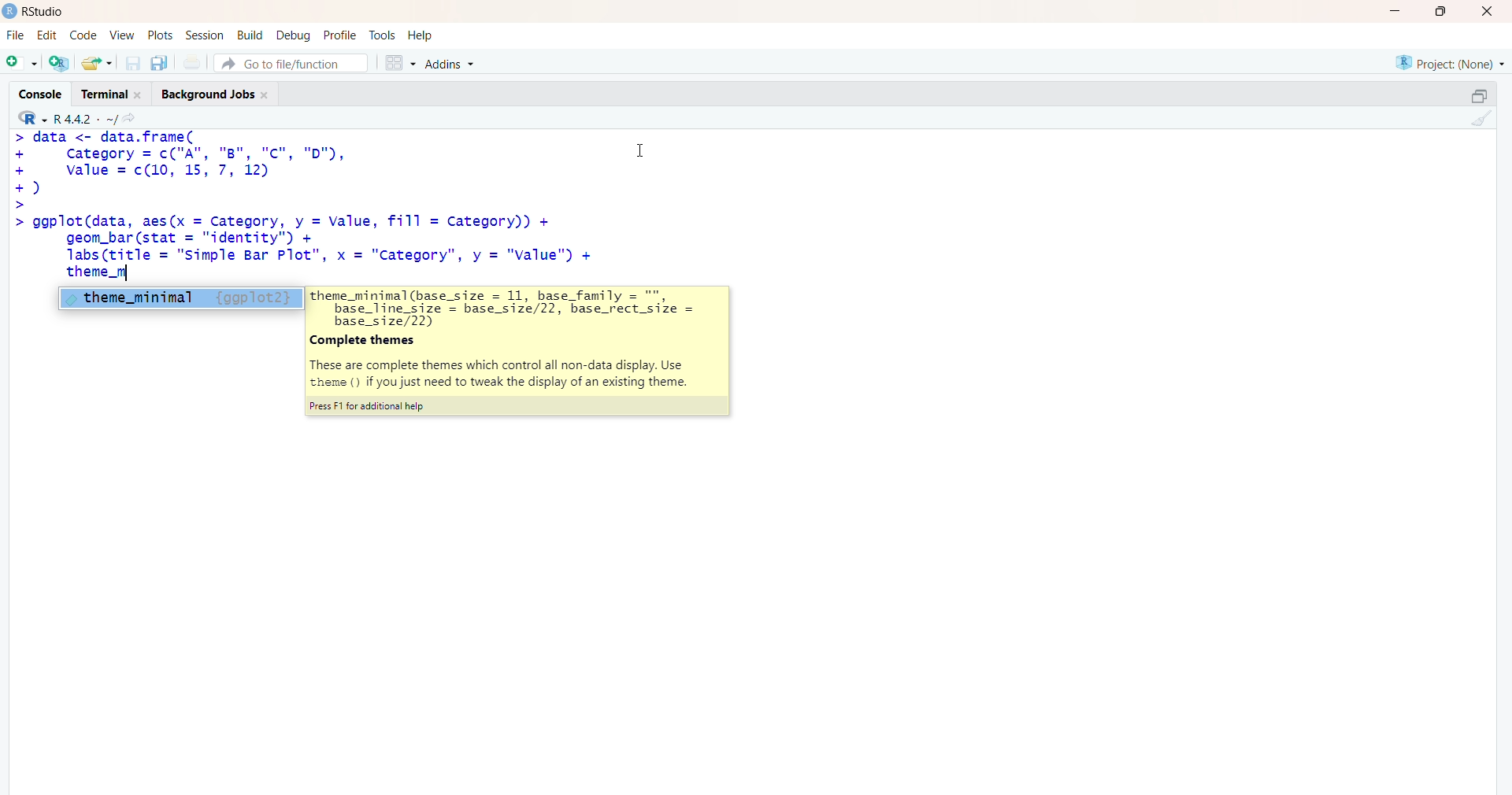  Describe the element at coordinates (162, 35) in the screenshot. I see `plots` at that location.